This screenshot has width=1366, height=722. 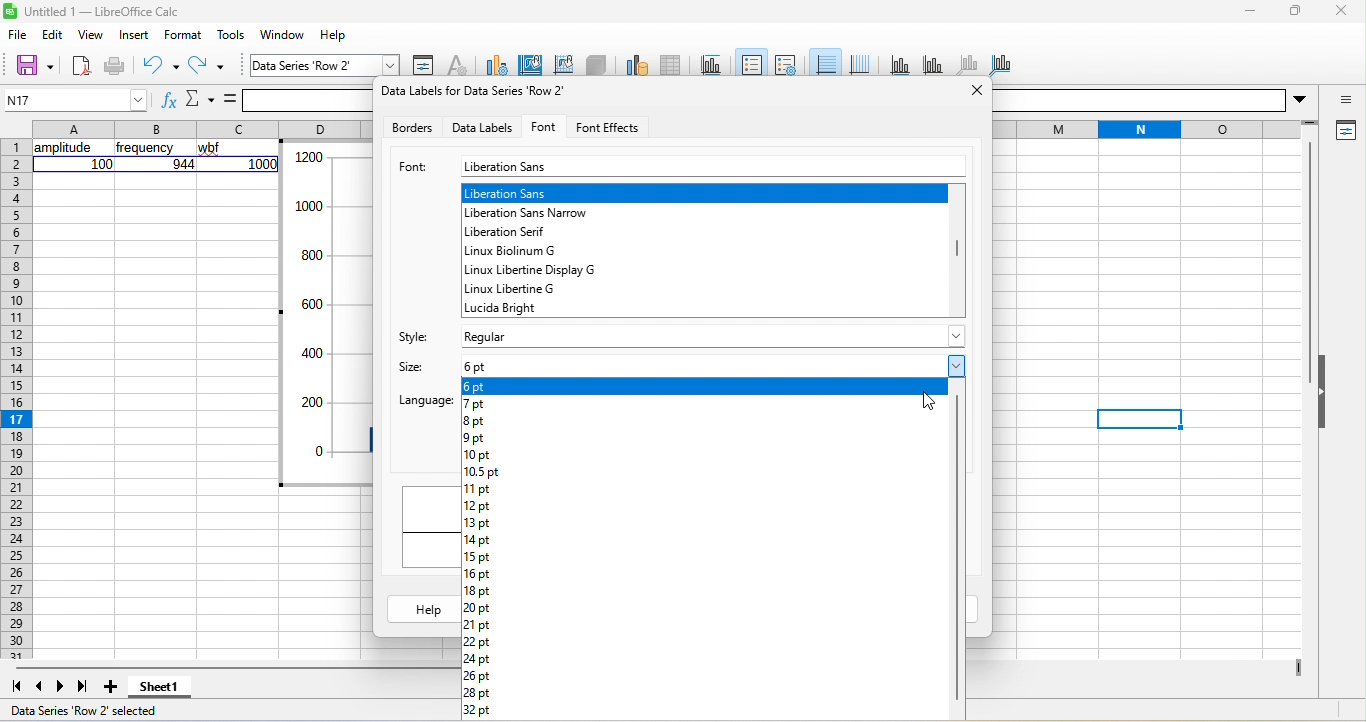 What do you see at coordinates (533, 270) in the screenshot?
I see `linux libertine display g` at bounding box center [533, 270].